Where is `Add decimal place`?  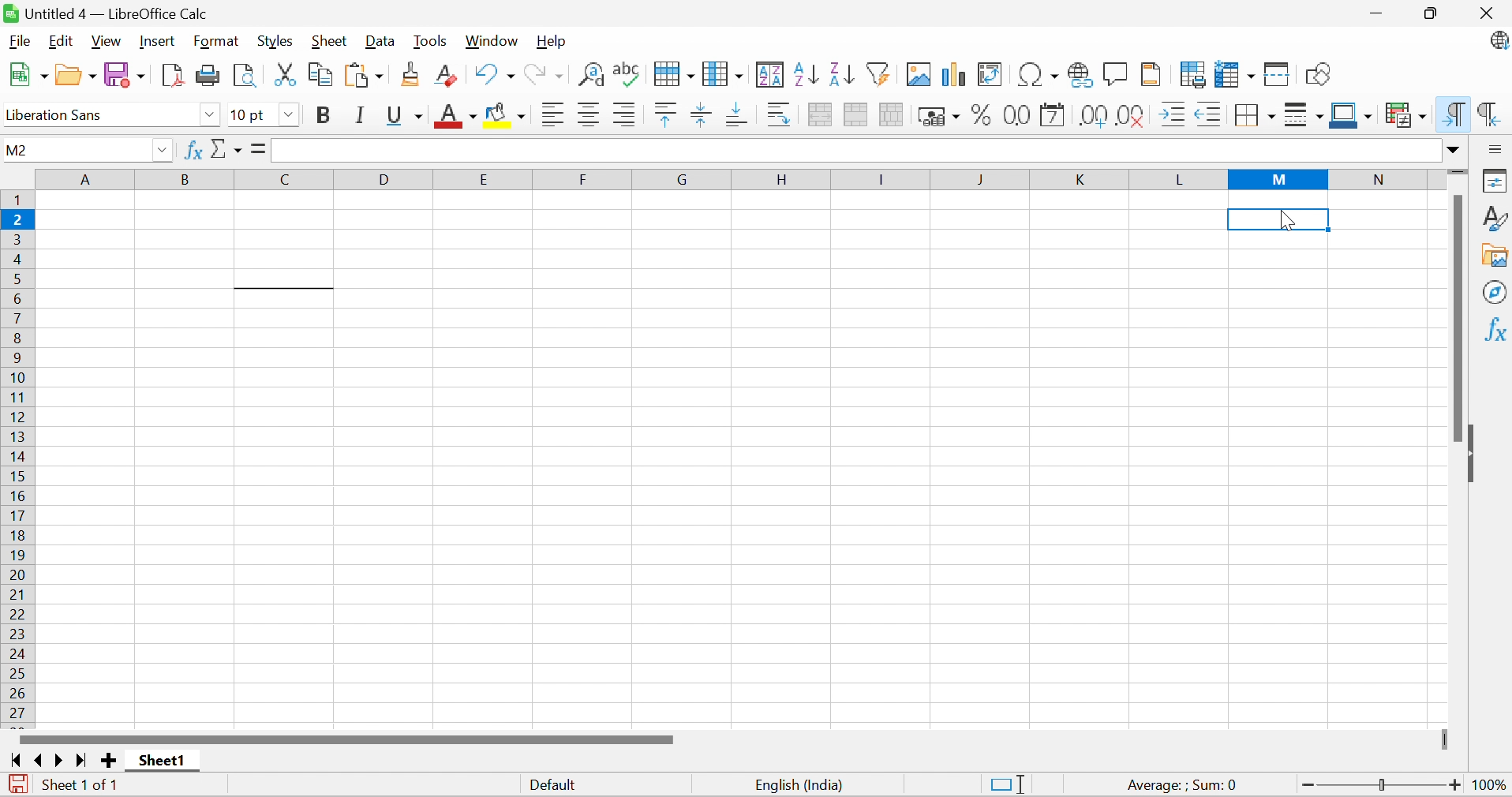
Add decimal place is located at coordinates (1092, 117).